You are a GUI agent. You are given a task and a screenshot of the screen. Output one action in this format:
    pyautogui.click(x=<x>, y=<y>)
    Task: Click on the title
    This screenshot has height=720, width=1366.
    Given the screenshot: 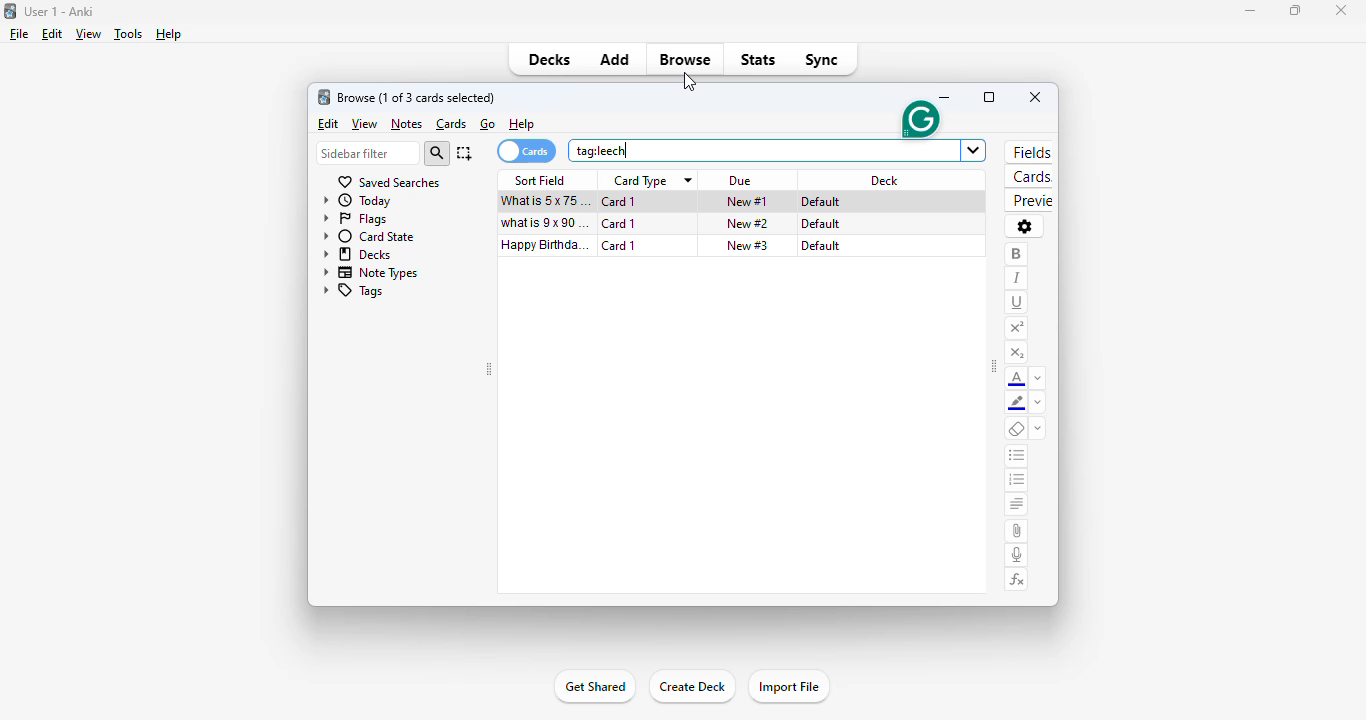 What is the action you would take?
    pyautogui.click(x=61, y=11)
    